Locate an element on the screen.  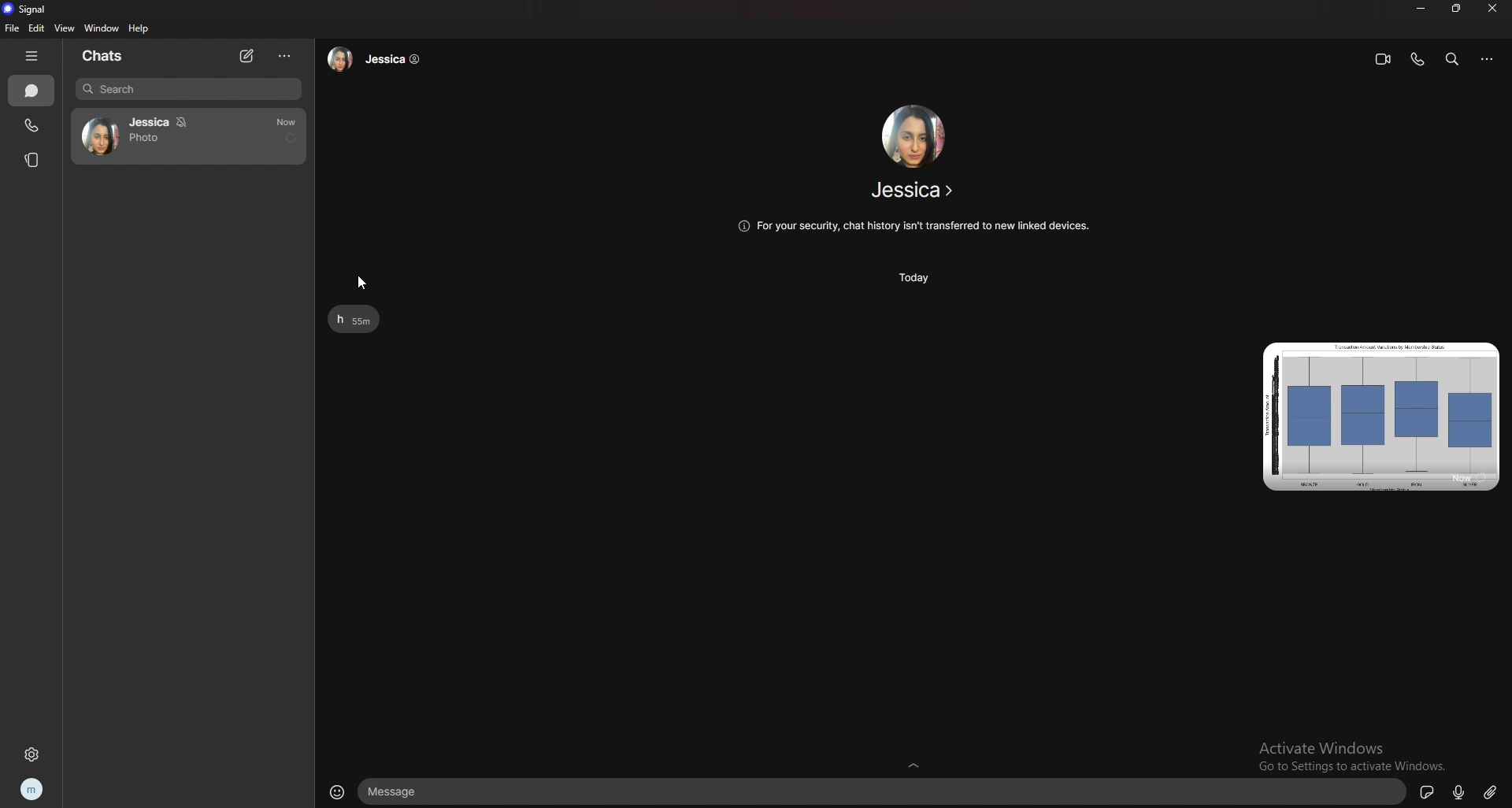
video call is located at coordinates (1380, 61).